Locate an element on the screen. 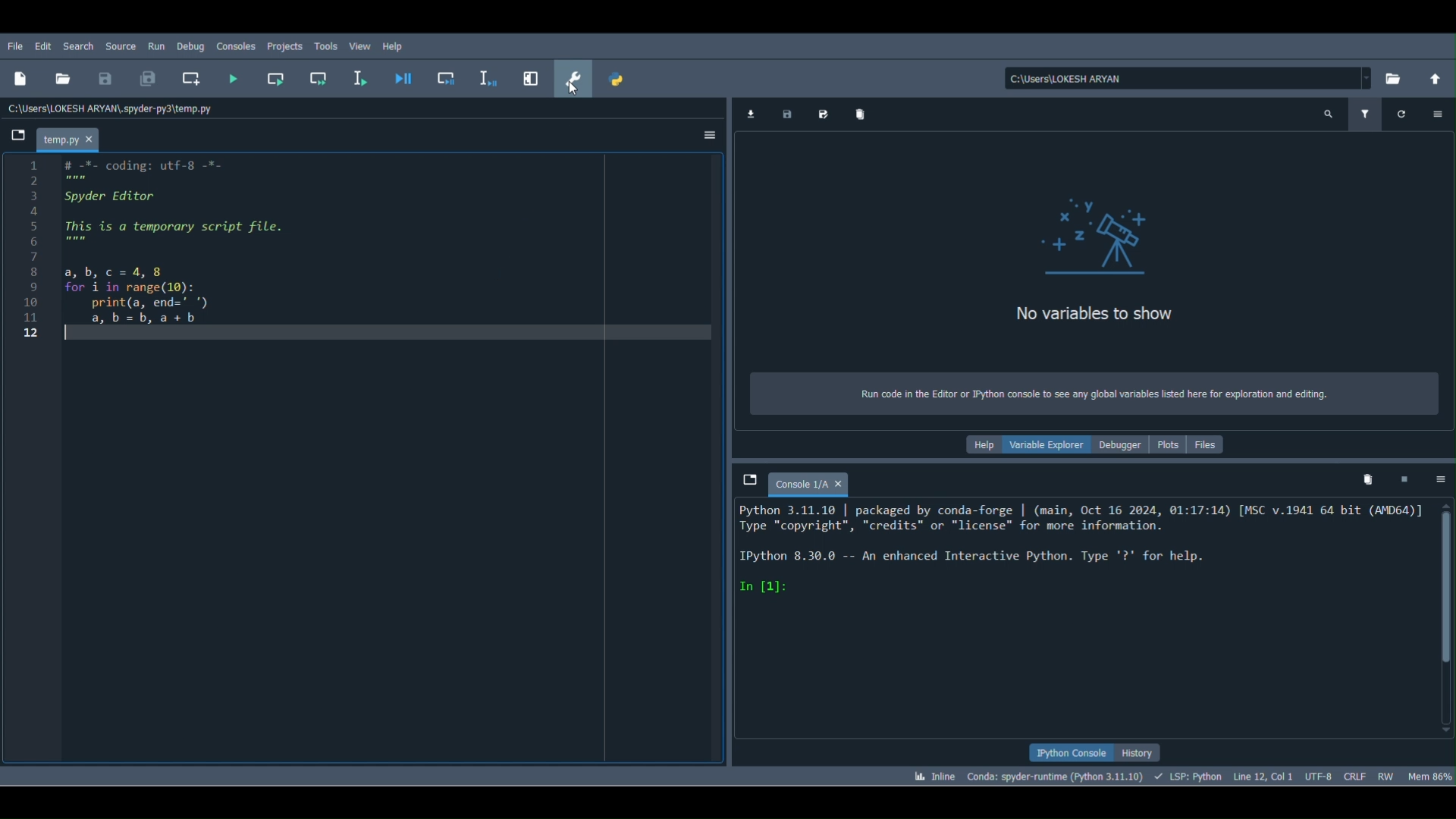 Image resolution: width=1456 pixels, height=819 pixels. New file (Ctrl + N) is located at coordinates (20, 82).